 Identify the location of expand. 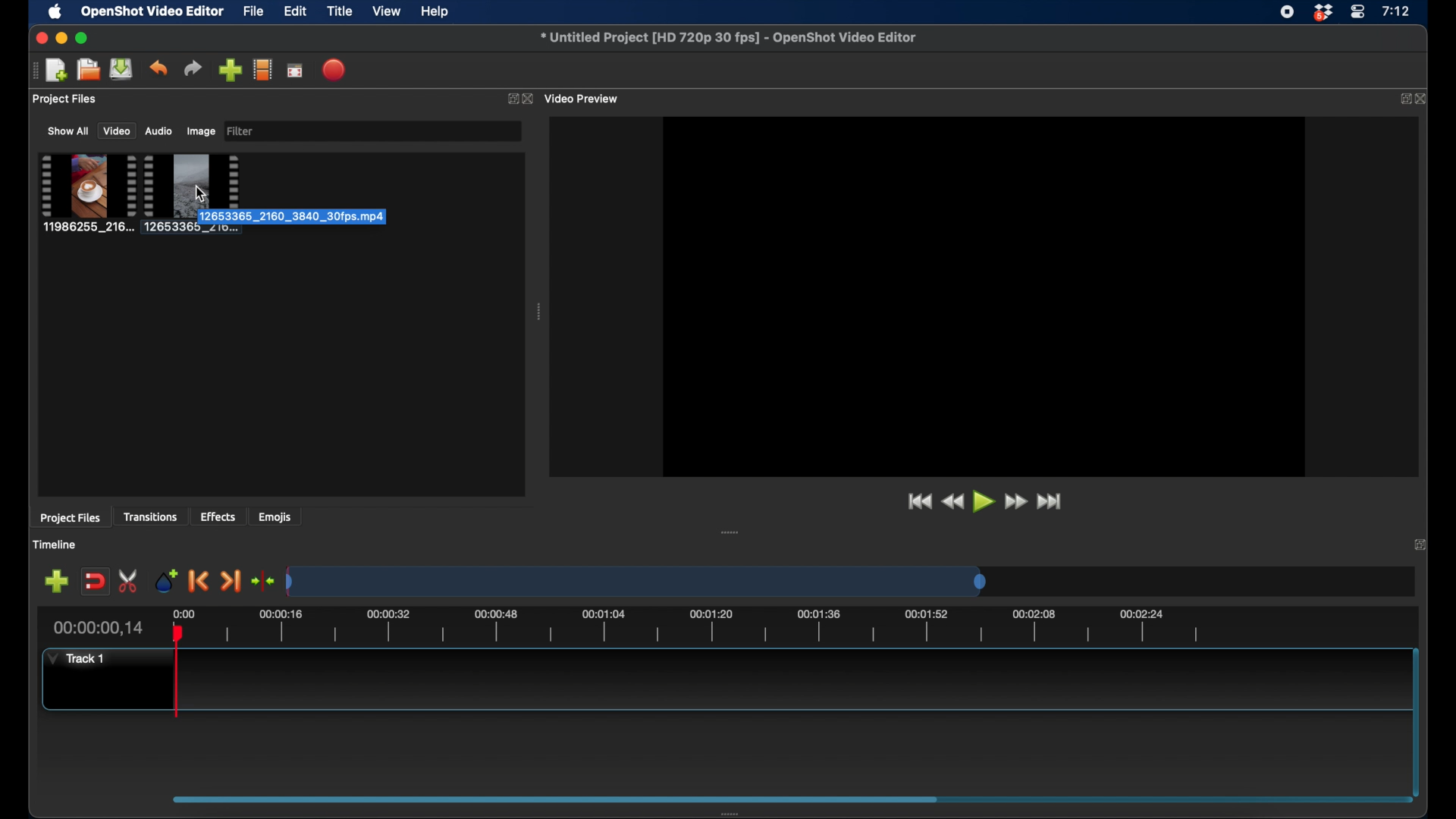
(1404, 99).